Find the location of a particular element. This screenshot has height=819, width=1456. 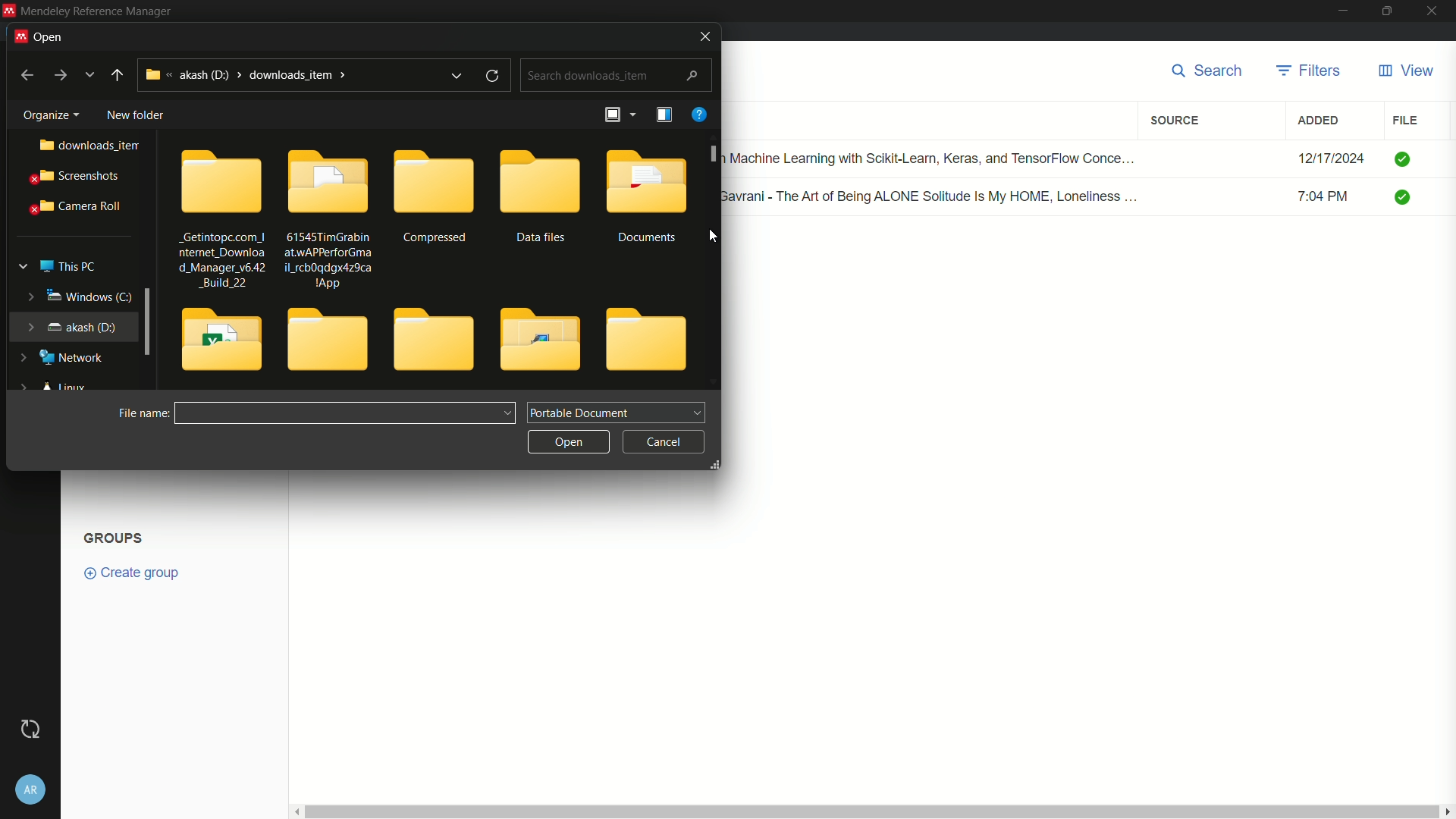

back to is located at coordinates (22, 74).